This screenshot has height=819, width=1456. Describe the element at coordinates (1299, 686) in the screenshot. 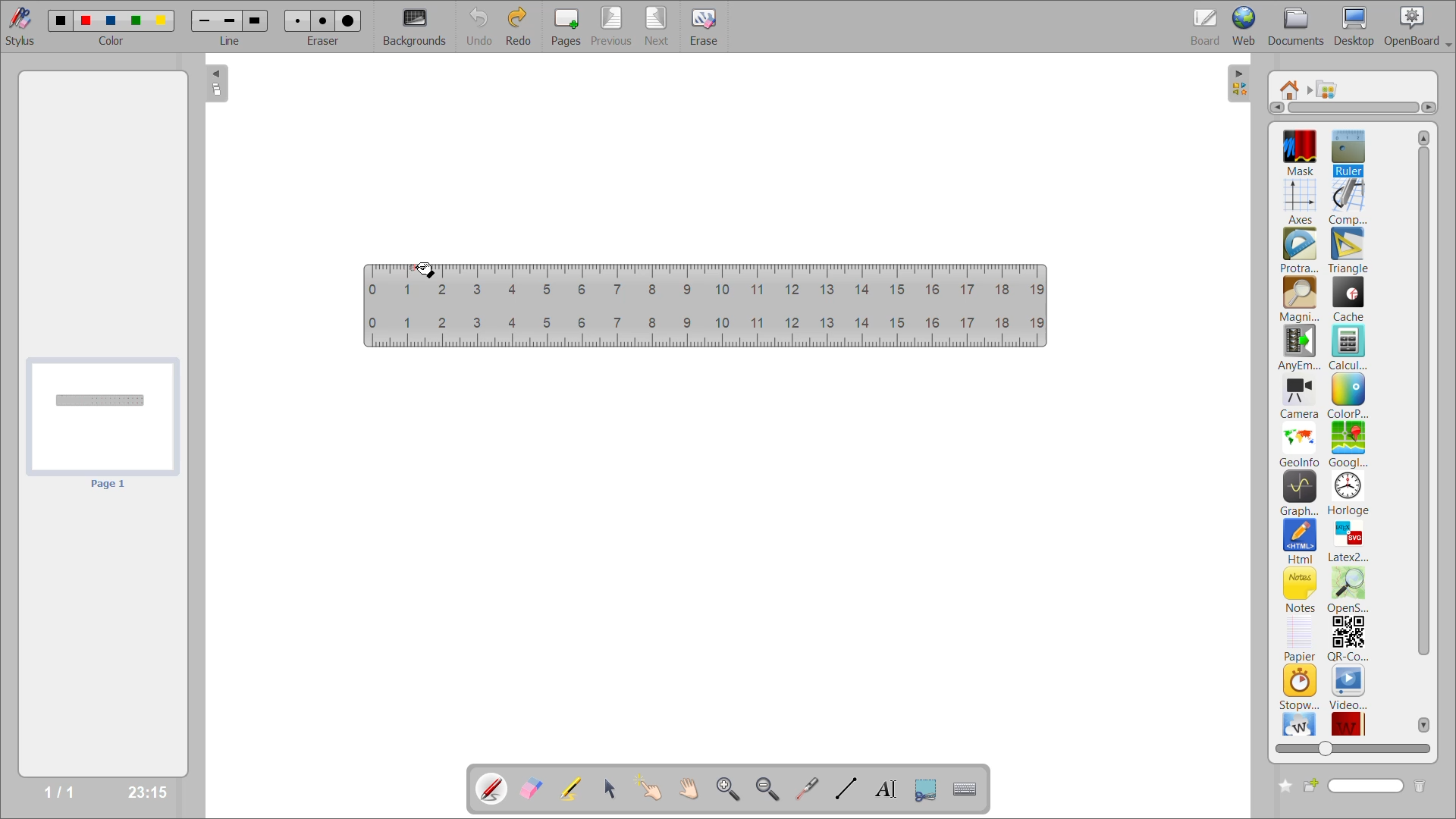

I see `stopwatch` at that location.